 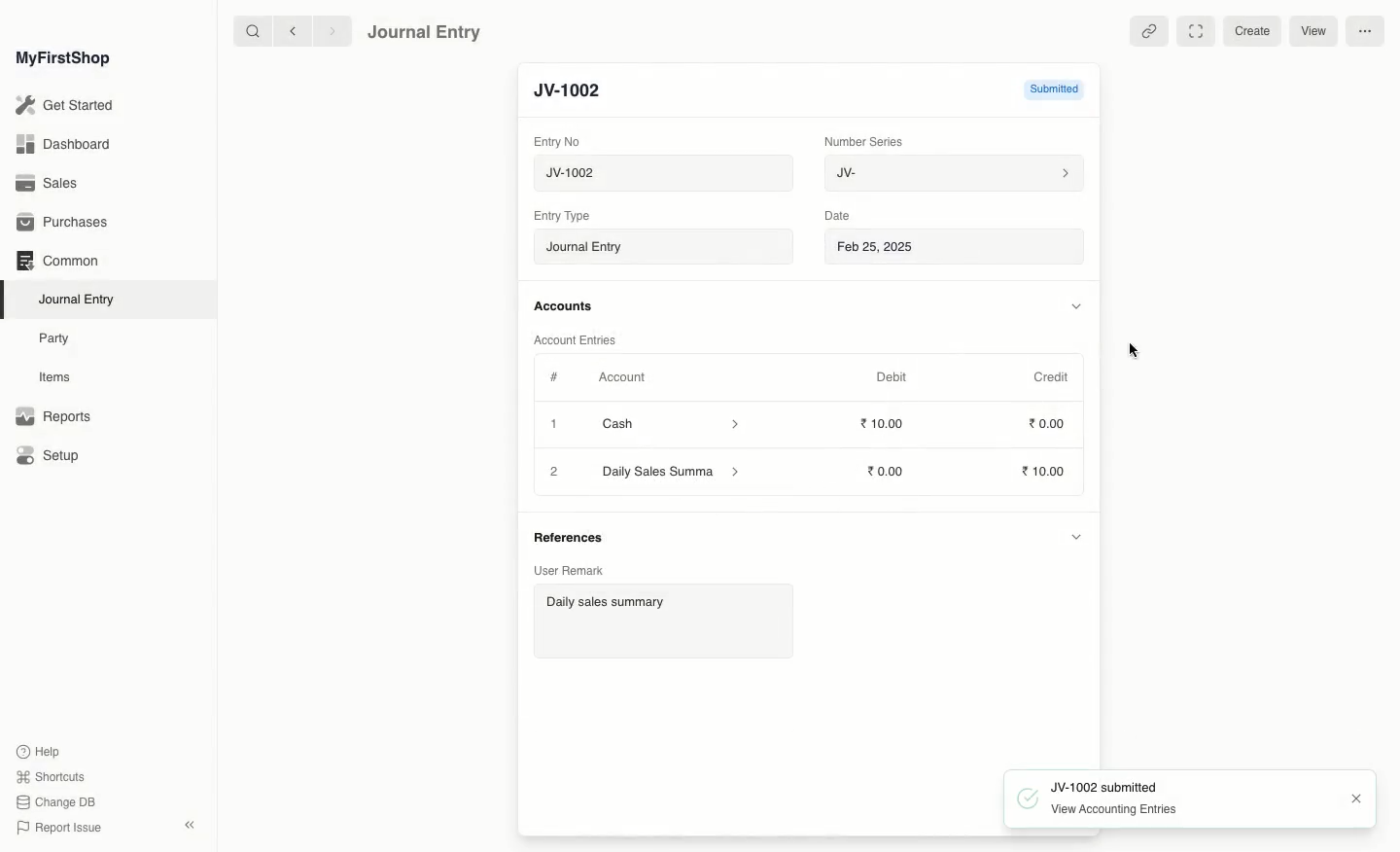 What do you see at coordinates (60, 377) in the screenshot?
I see `Items` at bounding box center [60, 377].